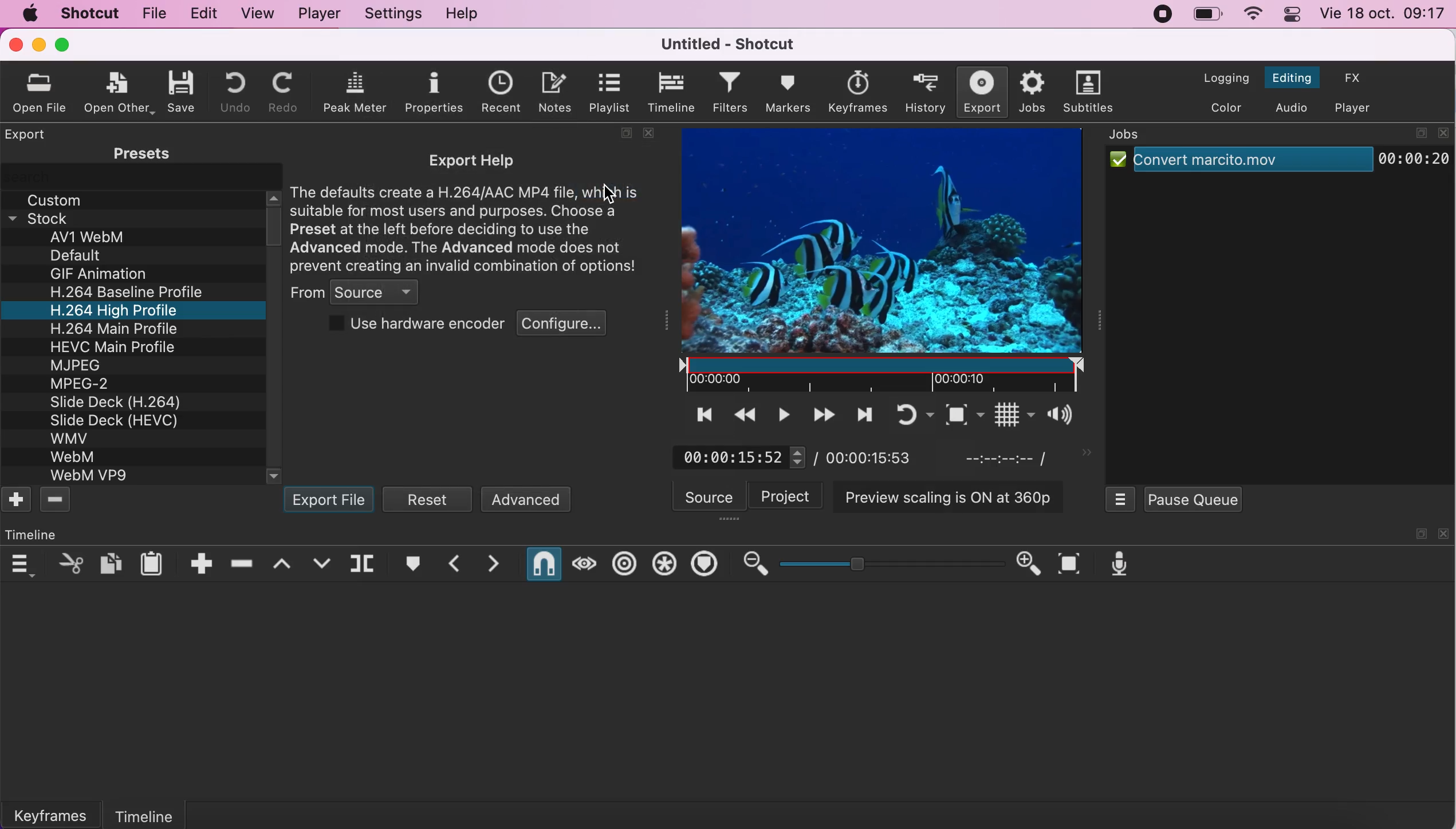 The height and width of the screenshot is (829, 1456). I want to click on av1 webm, so click(102, 238).